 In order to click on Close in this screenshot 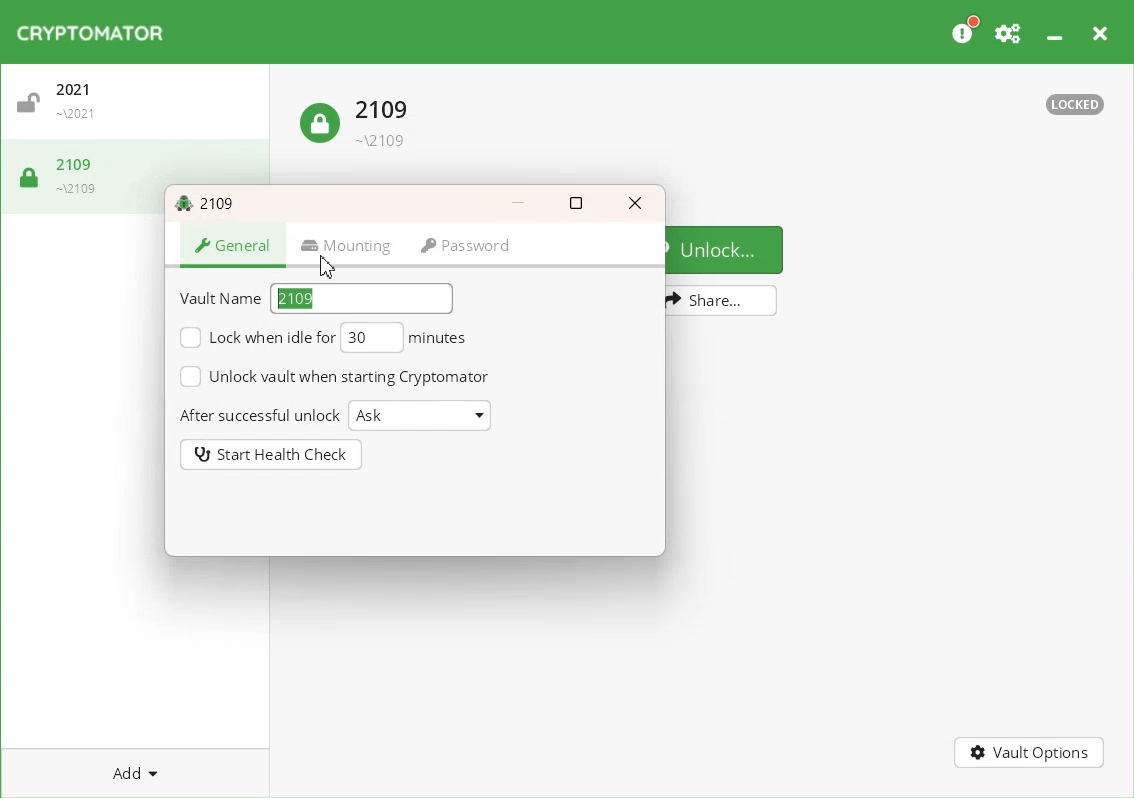, I will do `click(635, 202)`.